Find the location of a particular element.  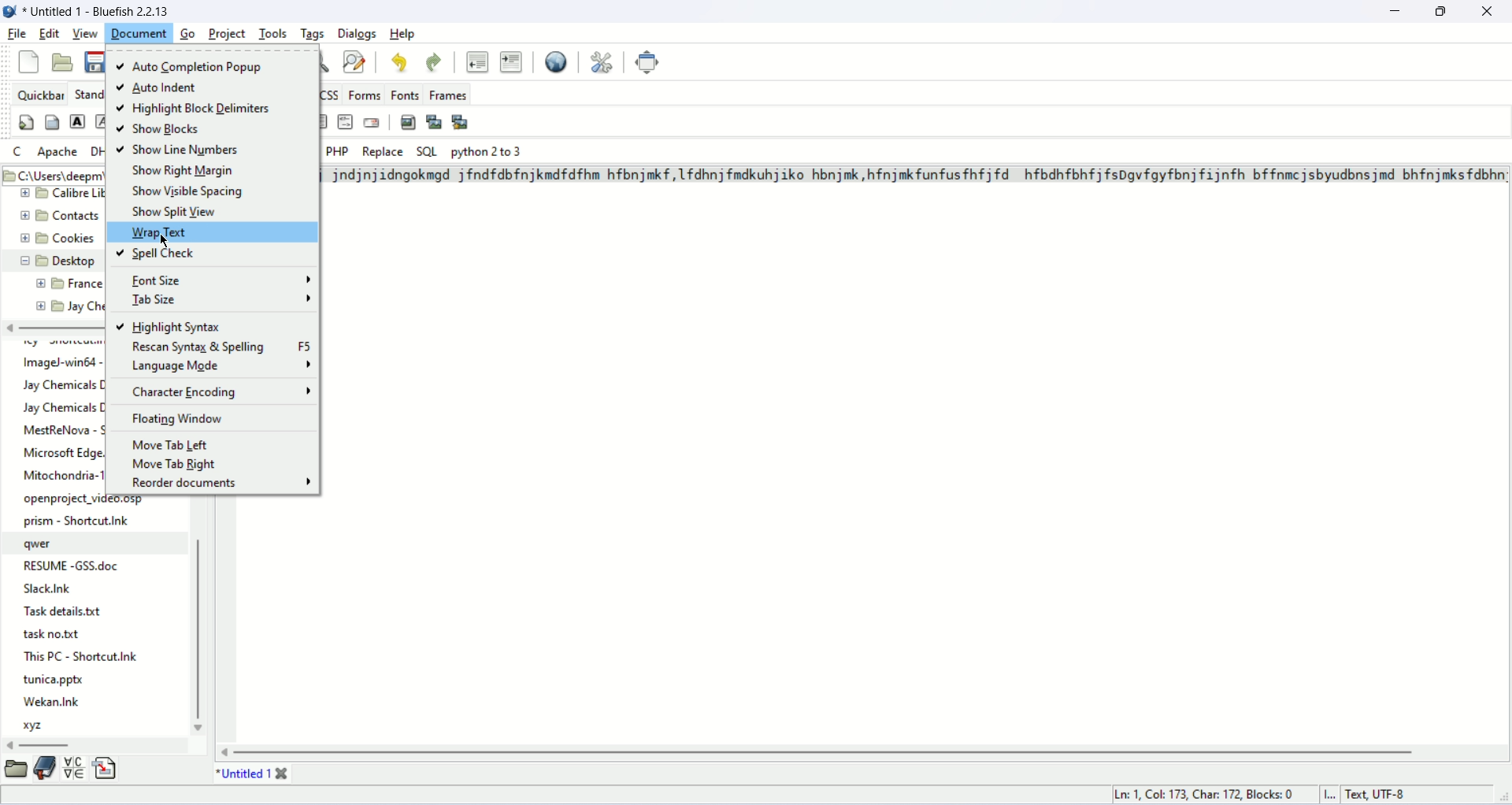

tags is located at coordinates (313, 33).